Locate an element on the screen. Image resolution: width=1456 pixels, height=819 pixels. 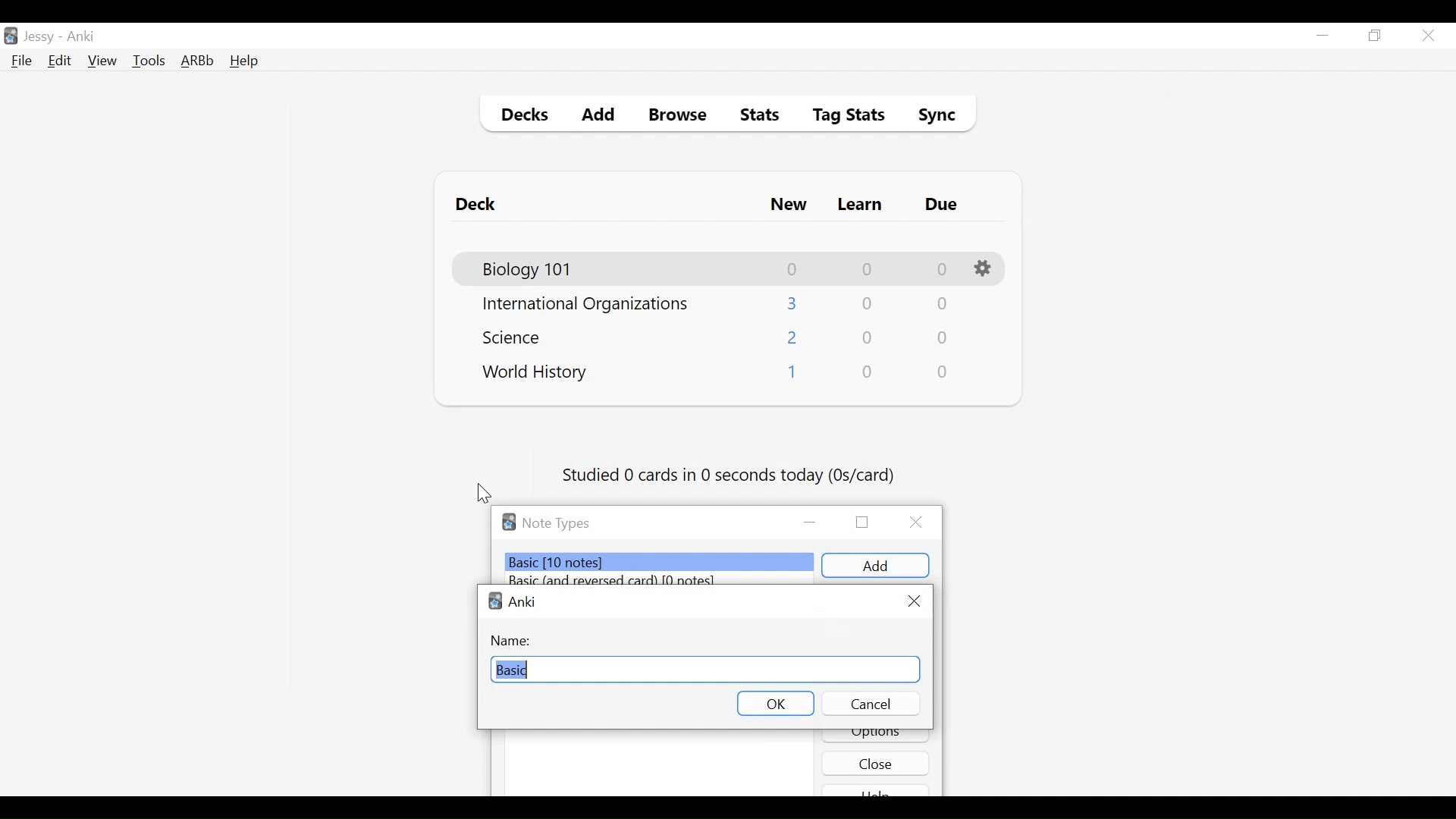
Deck Name is located at coordinates (529, 270).